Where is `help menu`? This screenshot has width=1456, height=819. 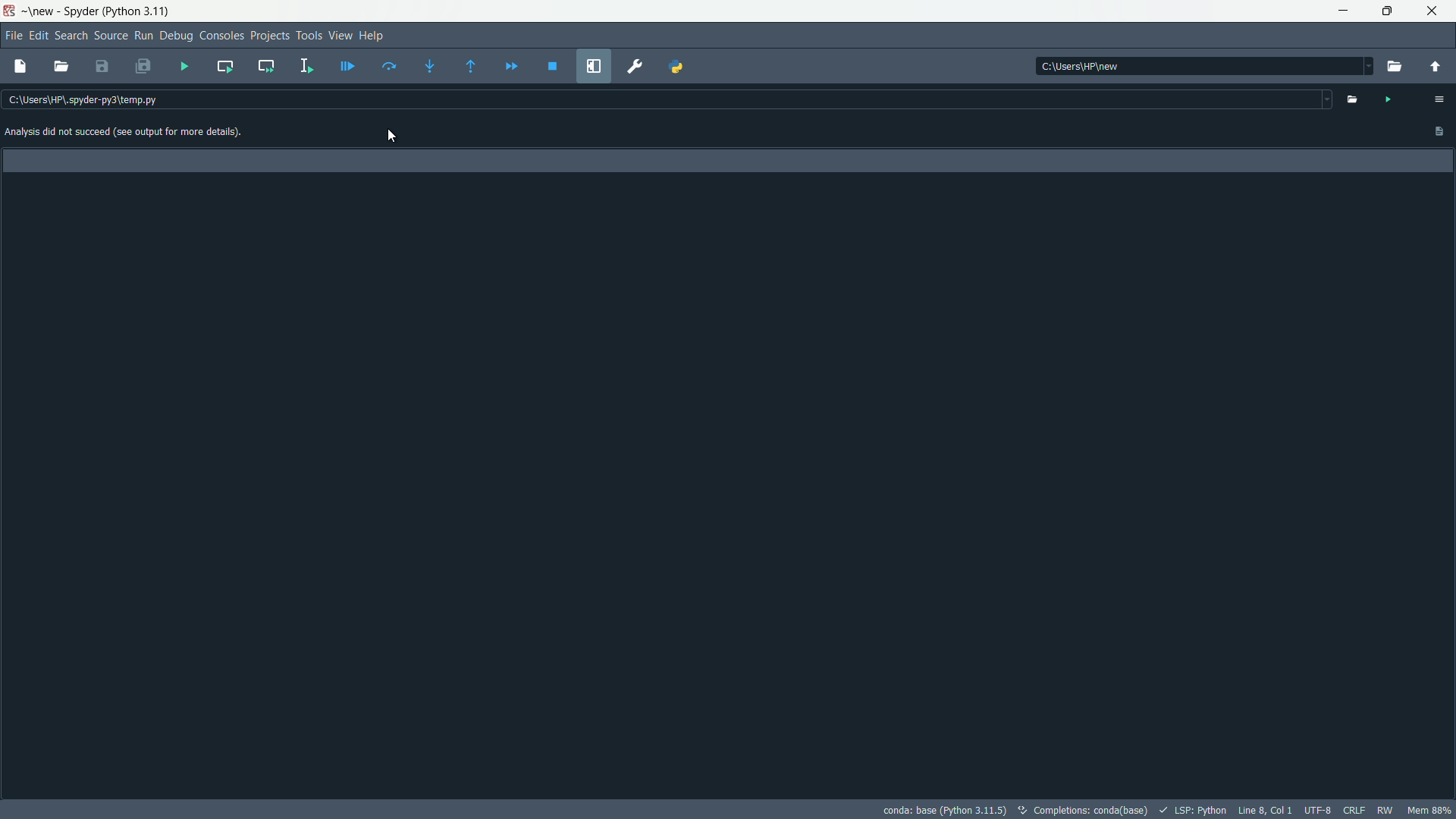 help menu is located at coordinates (372, 36).